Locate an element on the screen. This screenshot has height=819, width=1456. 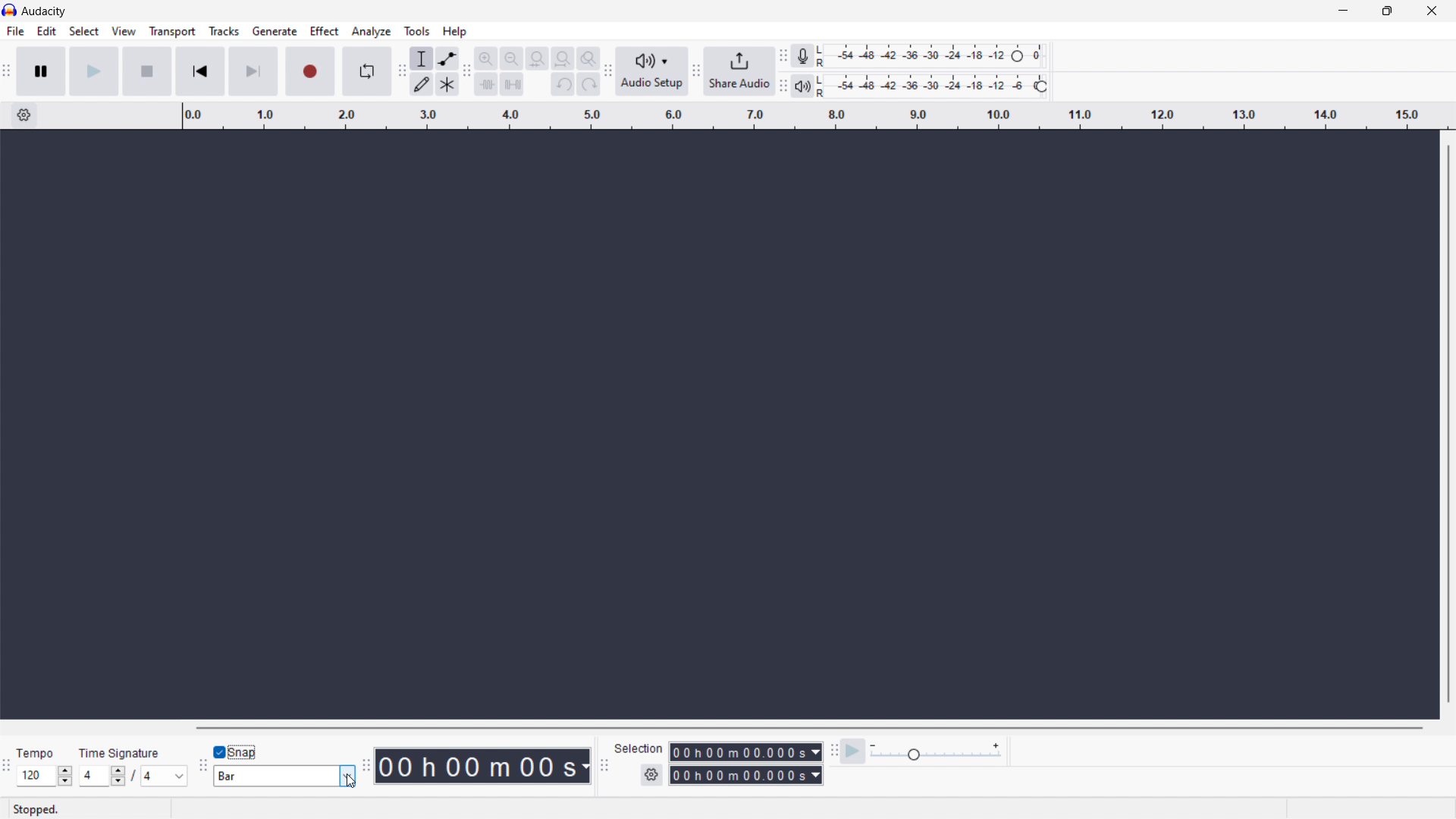
draw tool is located at coordinates (421, 85).